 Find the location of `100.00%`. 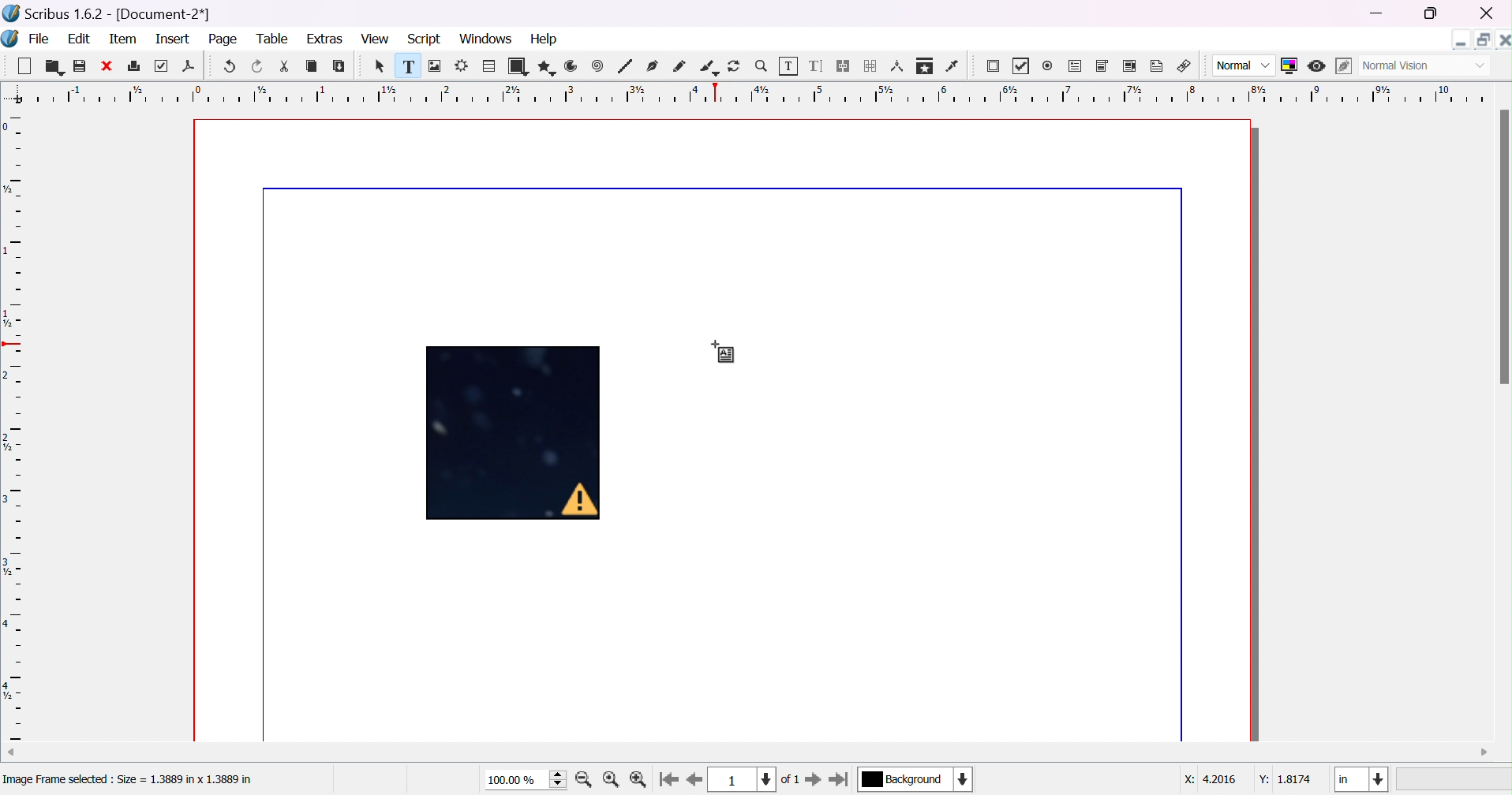

100.00% is located at coordinates (527, 780).